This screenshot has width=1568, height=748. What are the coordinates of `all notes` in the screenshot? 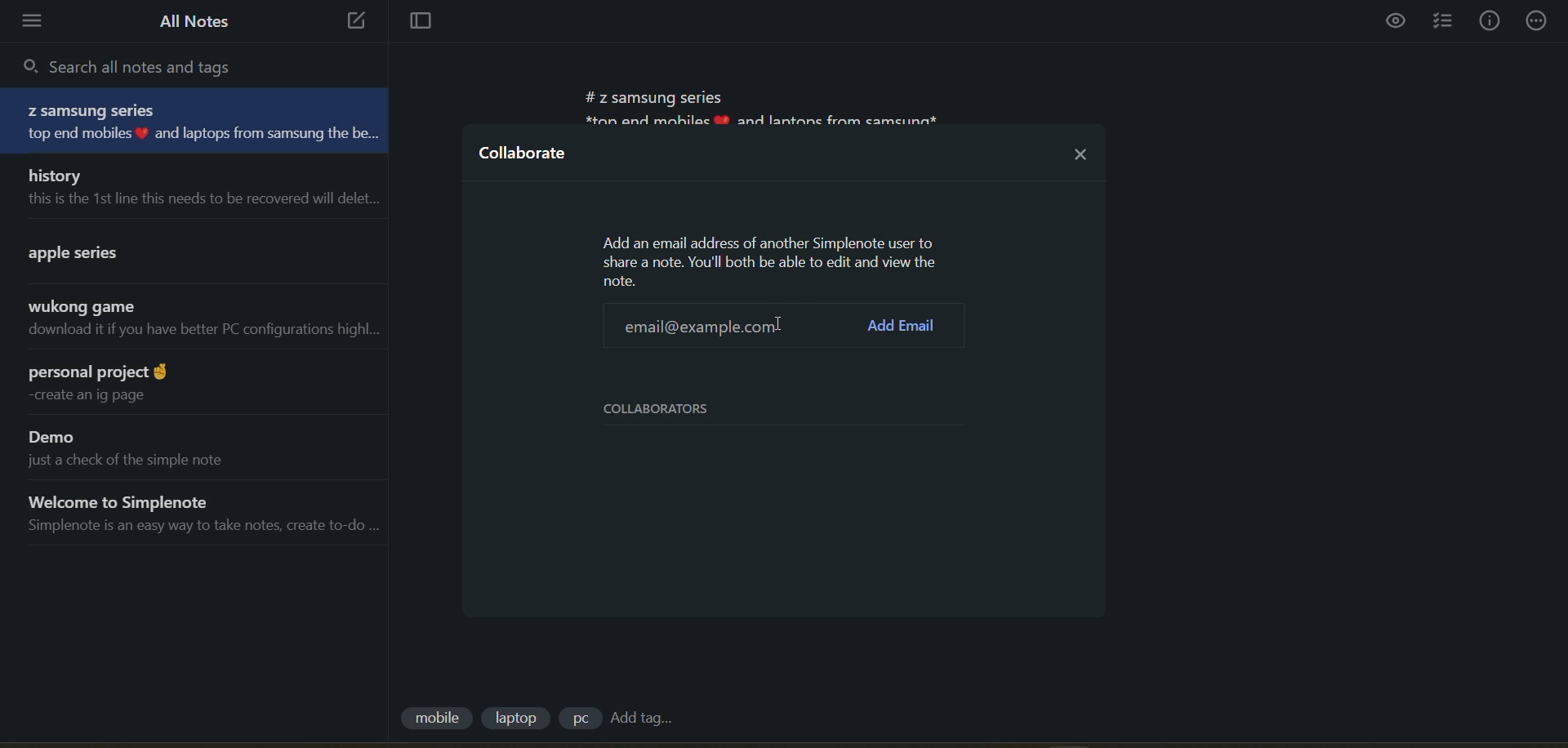 It's located at (195, 21).